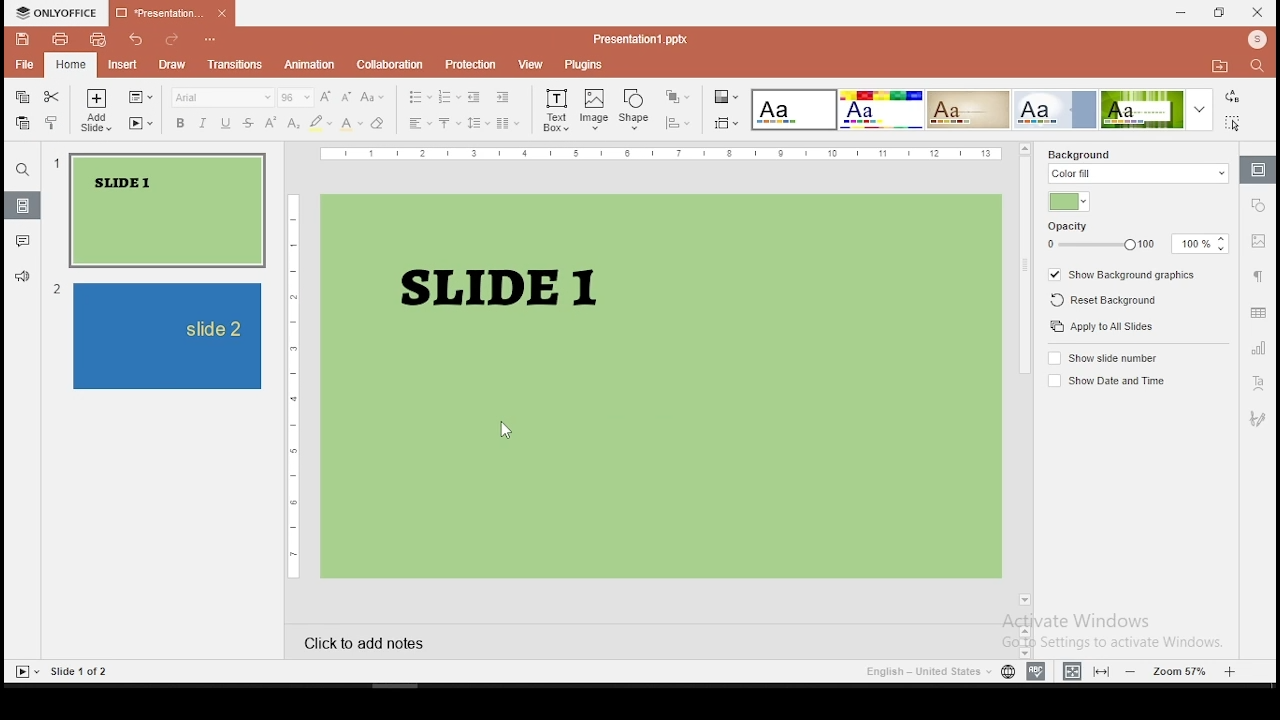  What do you see at coordinates (386, 62) in the screenshot?
I see `collaboration` at bounding box center [386, 62].